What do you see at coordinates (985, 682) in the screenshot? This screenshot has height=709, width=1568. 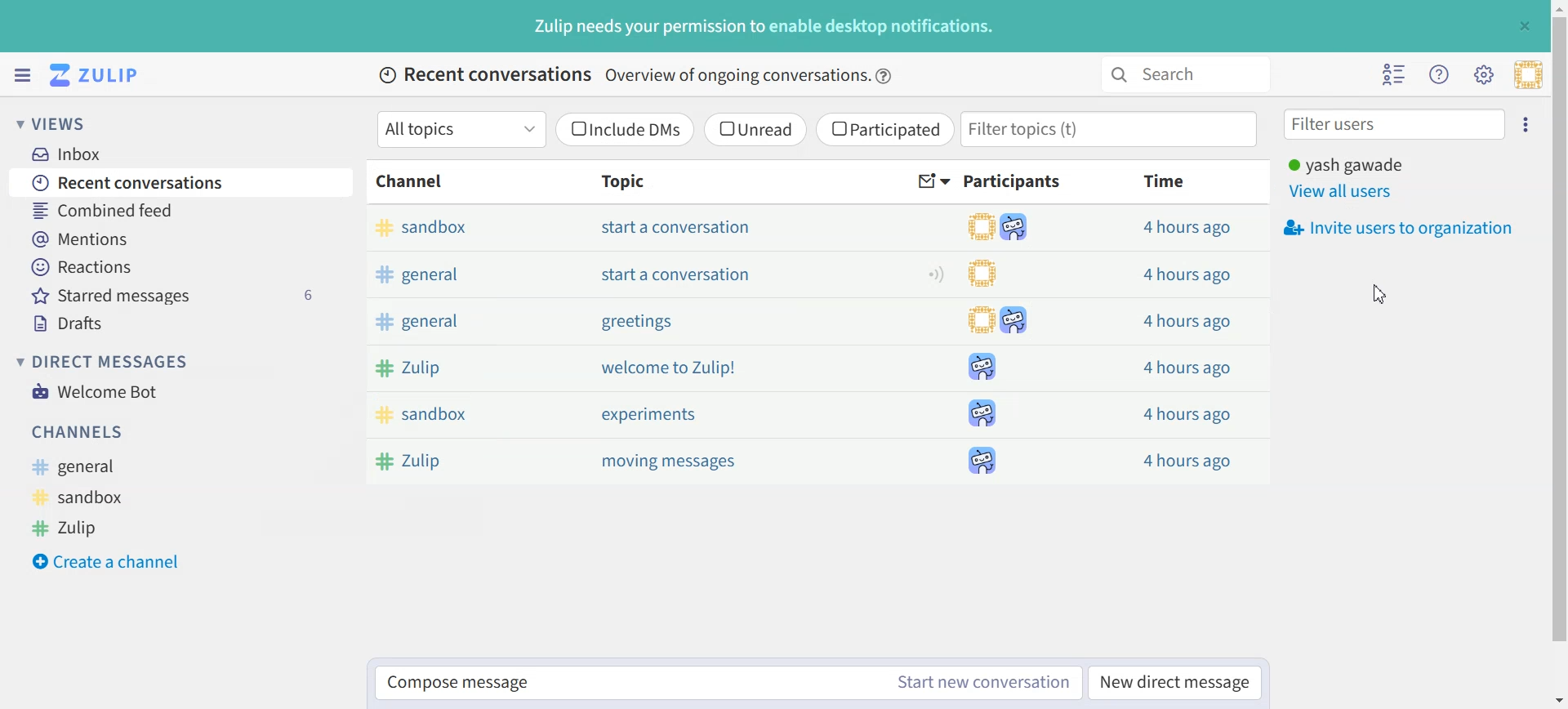 I see `Start new conversation` at bounding box center [985, 682].